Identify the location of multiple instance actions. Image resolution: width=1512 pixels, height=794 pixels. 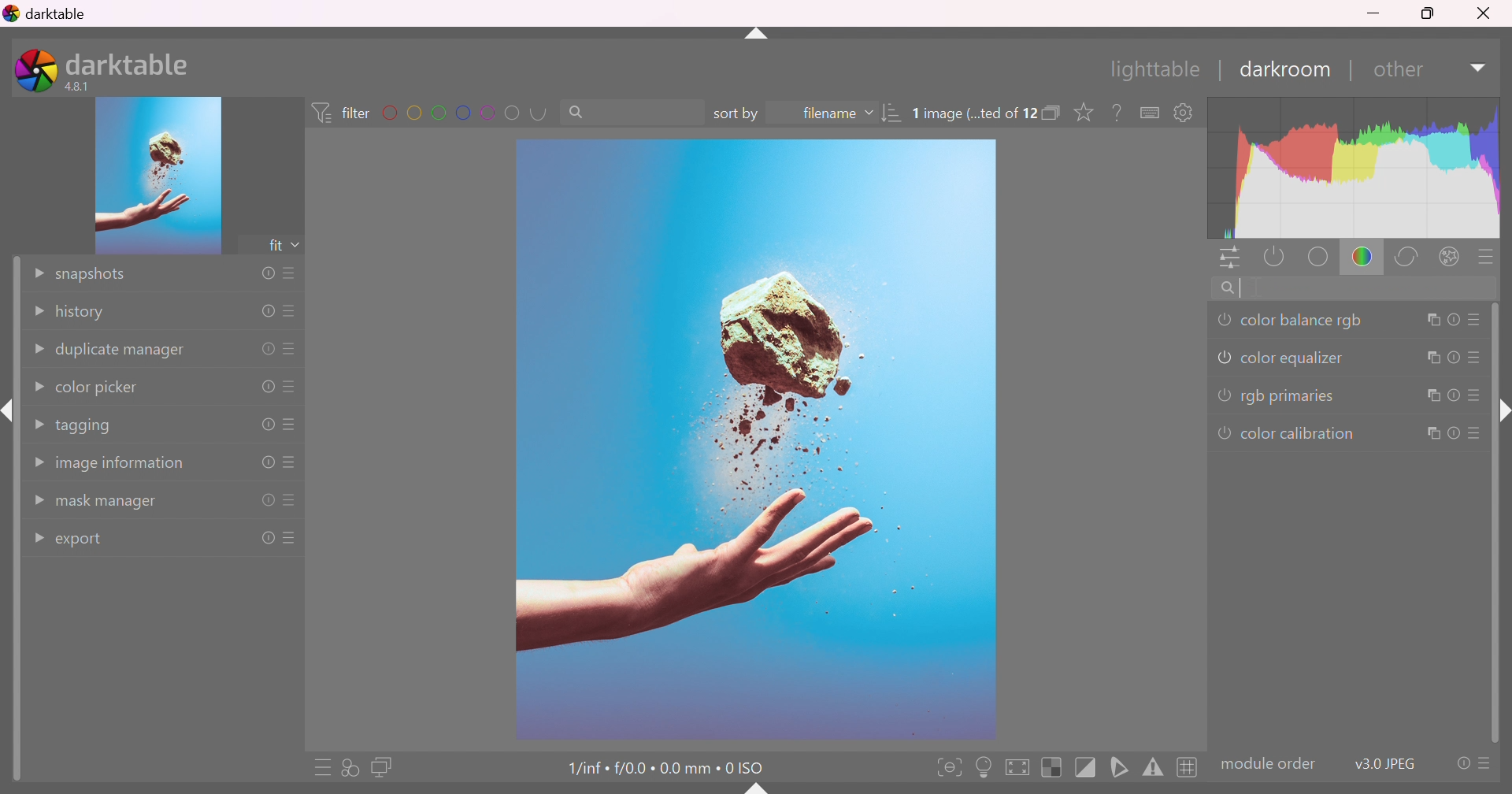
(1431, 434).